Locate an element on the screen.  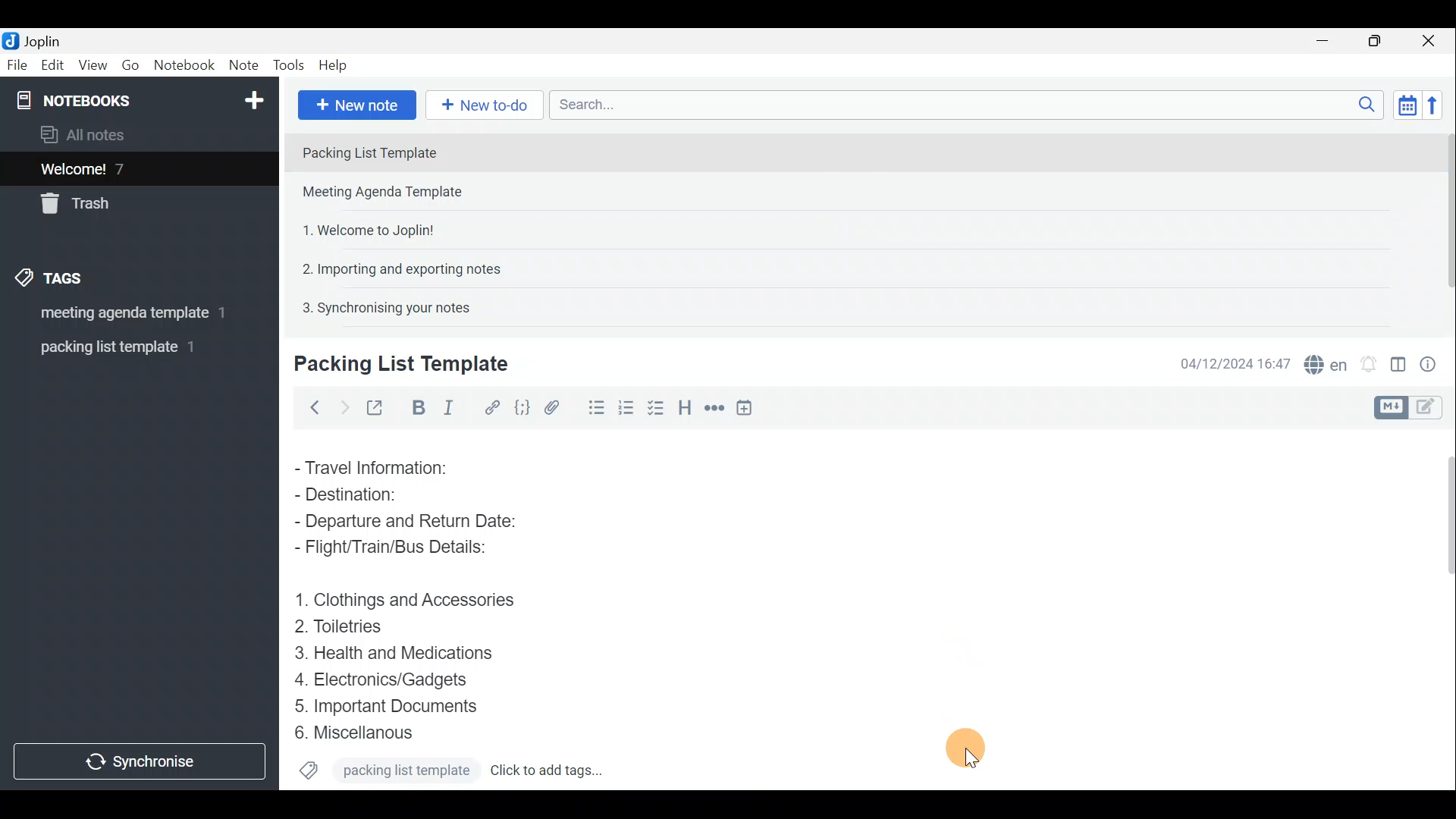
Toiletries is located at coordinates (349, 629).